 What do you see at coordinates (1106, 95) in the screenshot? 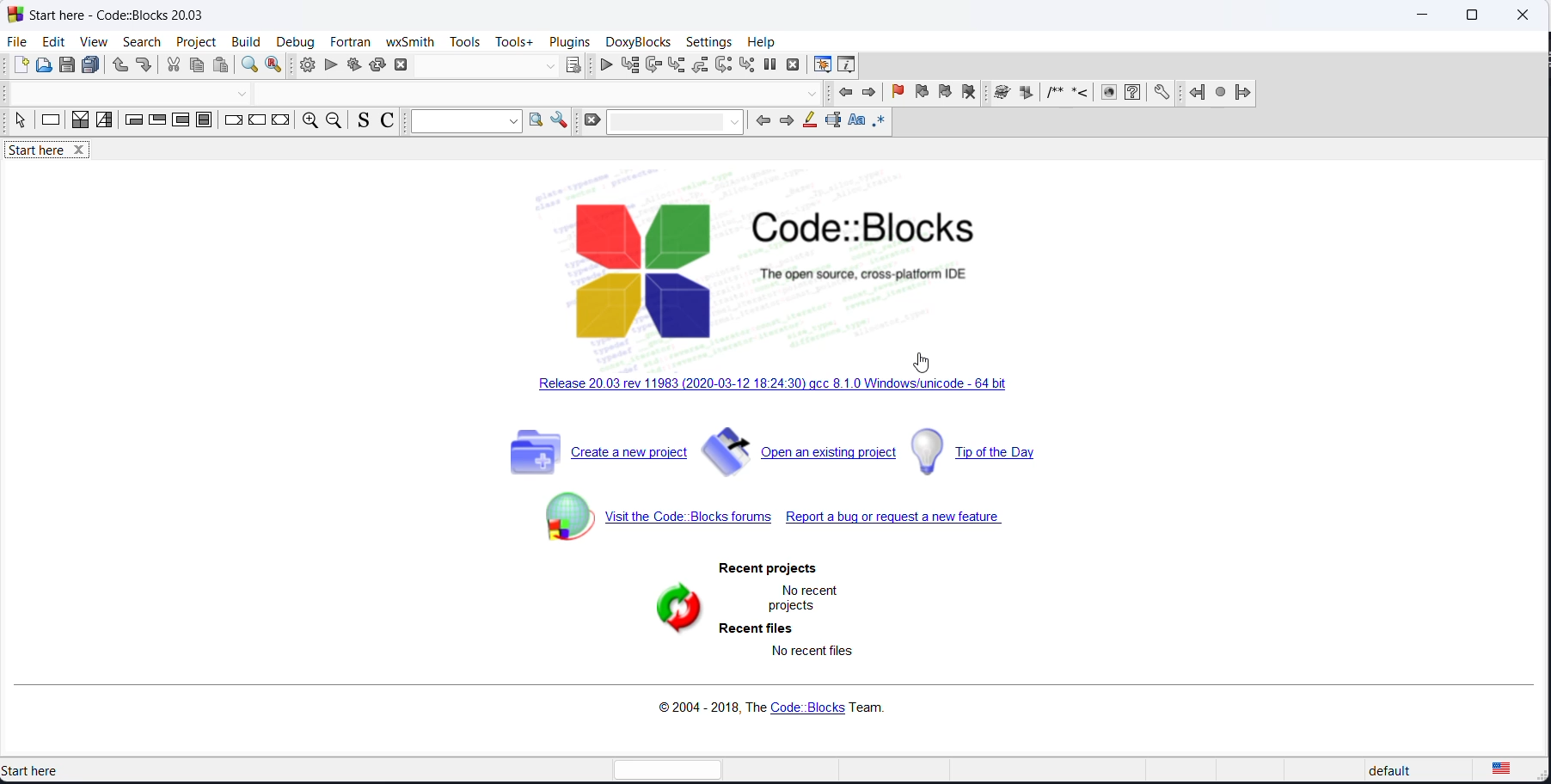
I see `icon` at bounding box center [1106, 95].